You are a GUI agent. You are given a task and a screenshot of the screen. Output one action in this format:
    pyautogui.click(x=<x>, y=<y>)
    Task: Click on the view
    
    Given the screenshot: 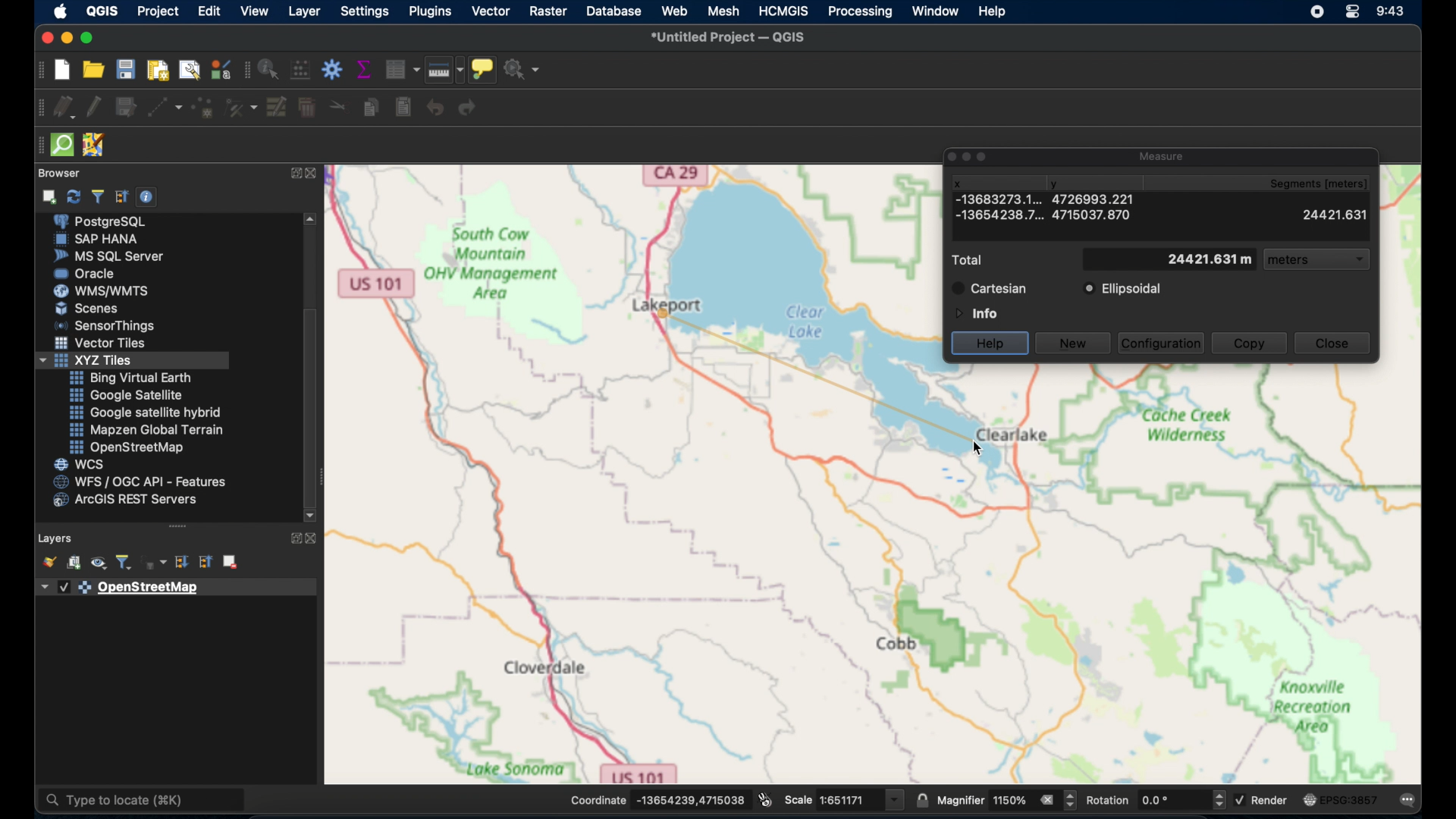 What is the action you would take?
    pyautogui.click(x=253, y=11)
    